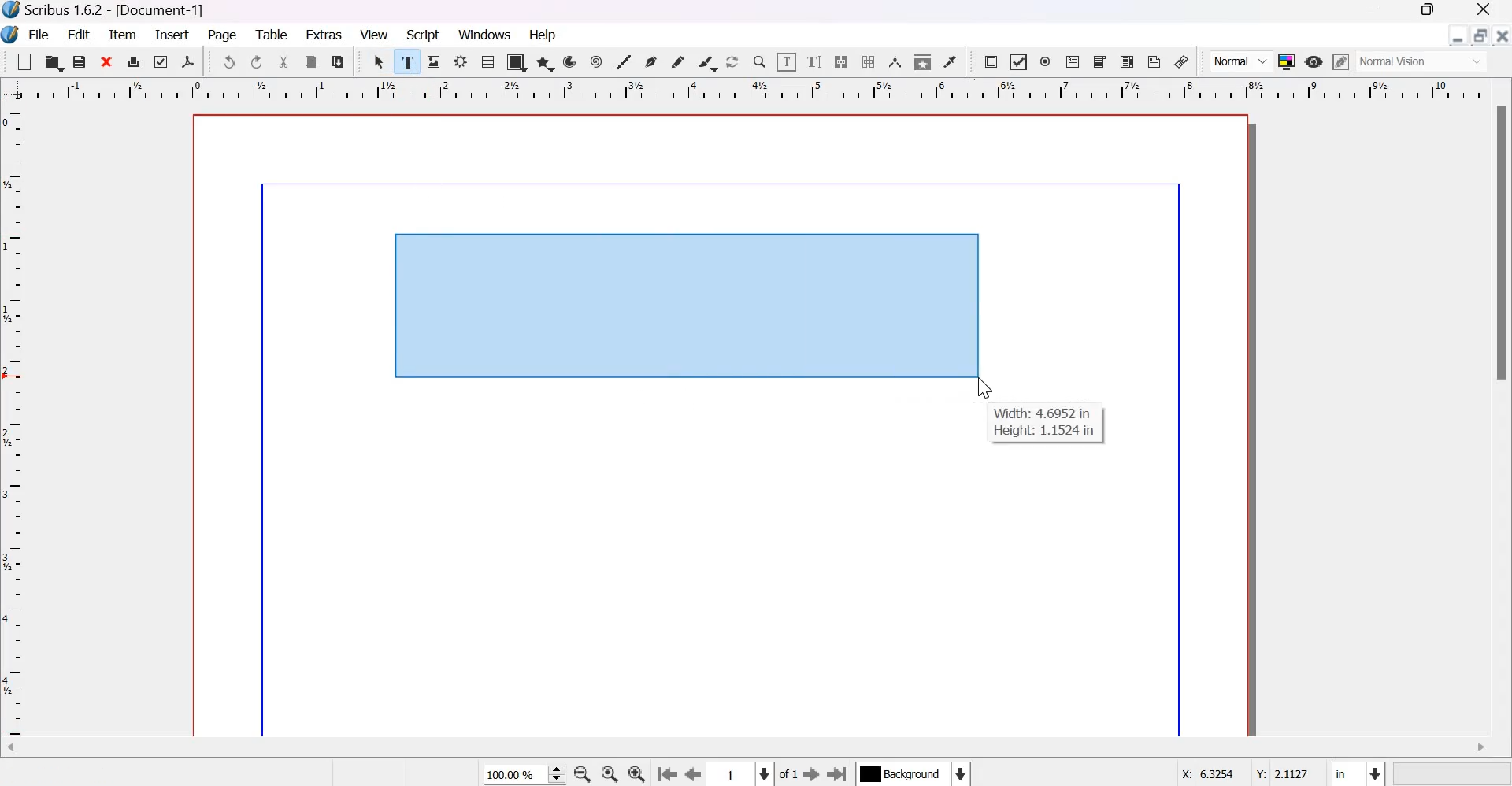  Describe the element at coordinates (841, 61) in the screenshot. I see `Link text frames` at that location.